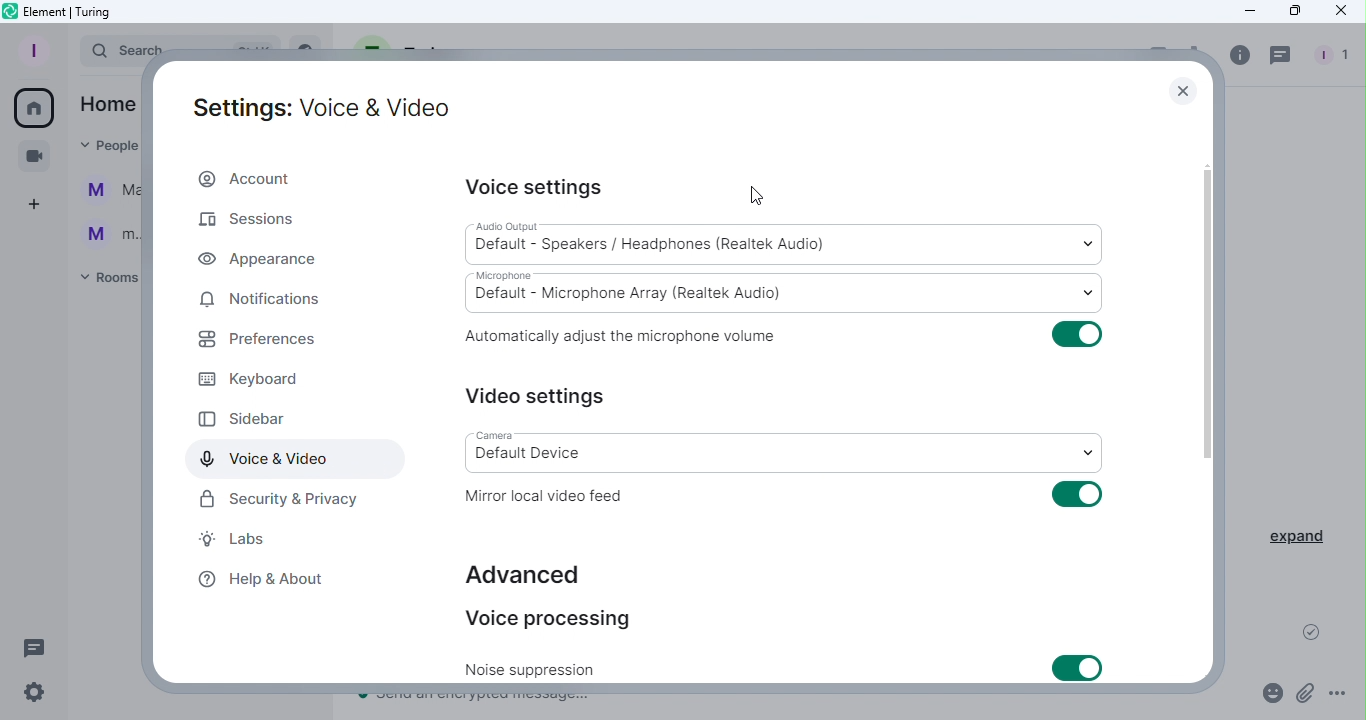 Image resolution: width=1366 pixels, height=720 pixels. I want to click on Maximize, so click(1288, 12).